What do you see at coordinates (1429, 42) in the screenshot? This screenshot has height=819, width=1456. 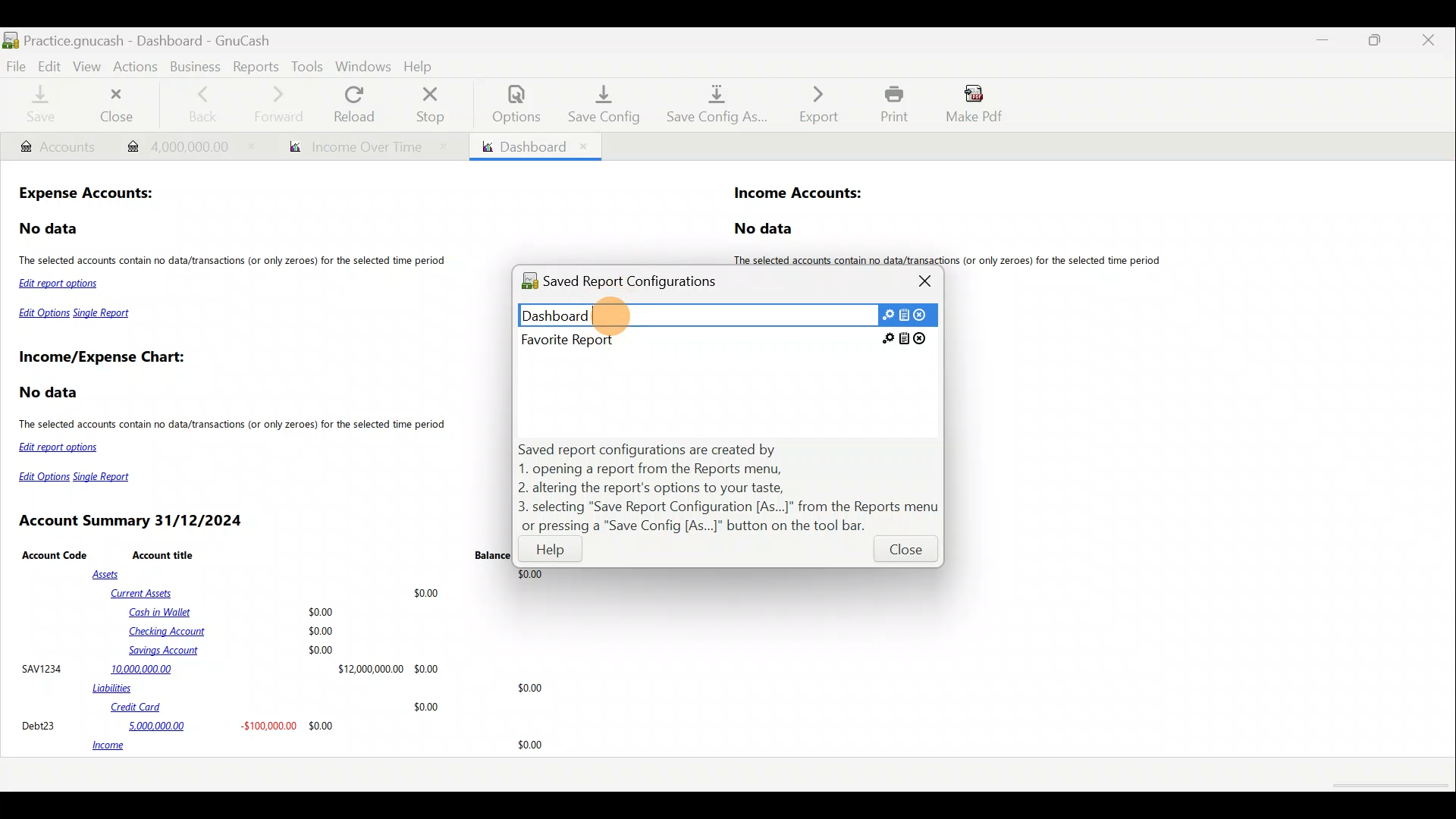 I see `Close` at bounding box center [1429, 42].